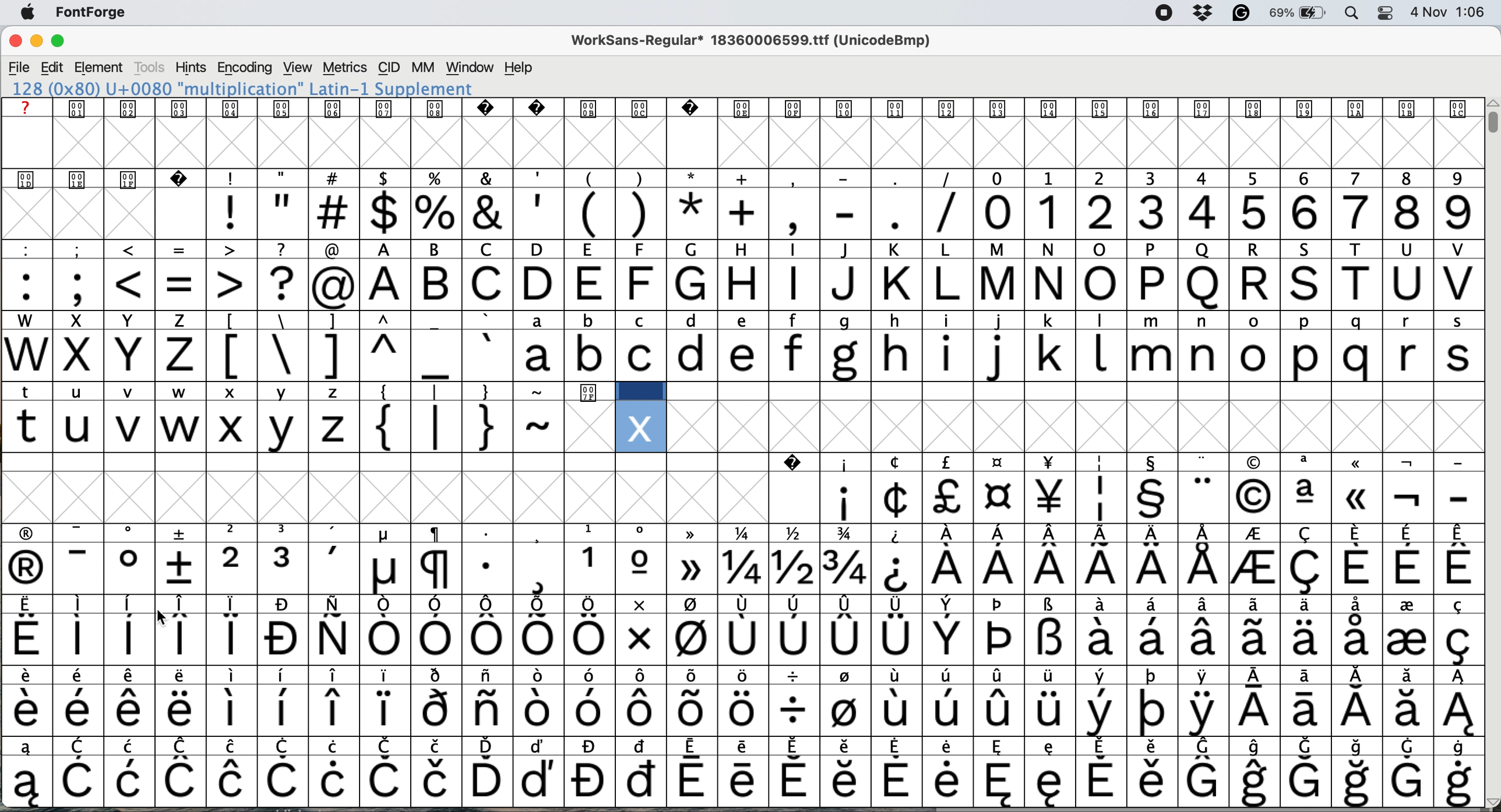  I want to click on special characters , so click(61, 391).